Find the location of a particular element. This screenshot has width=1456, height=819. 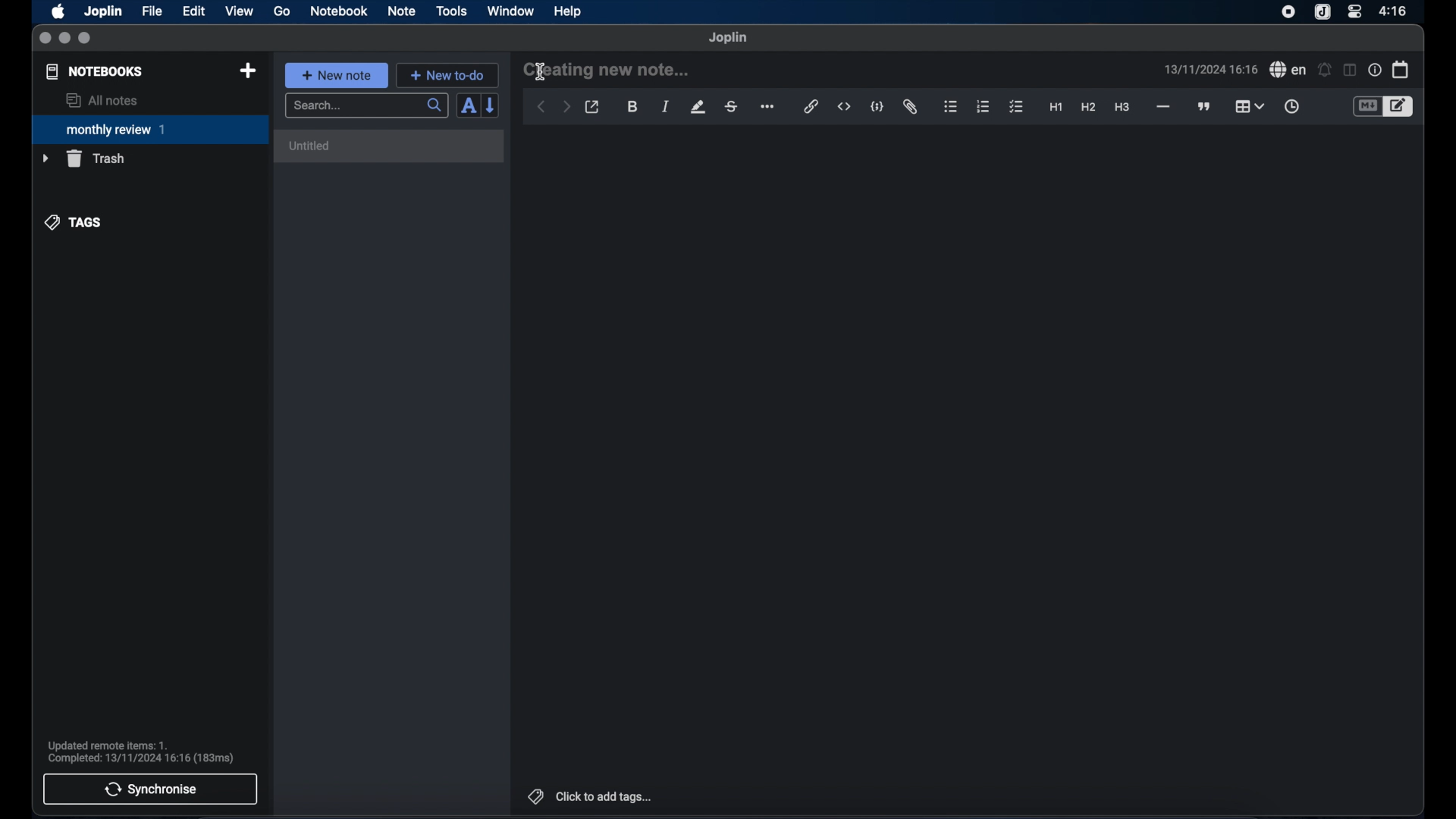

notebook is located at coordinates (339, 11).